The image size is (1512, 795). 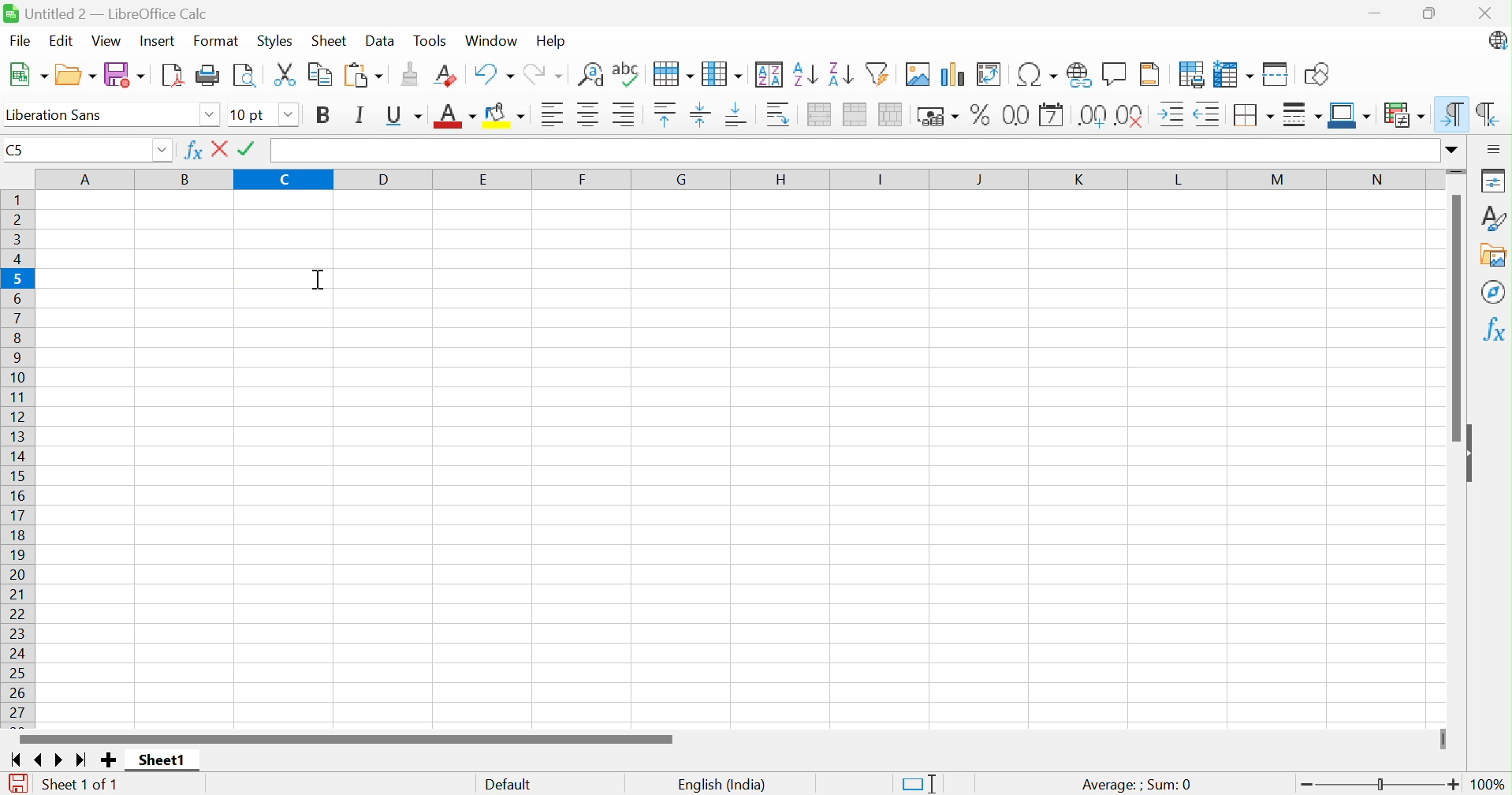 I want to click on Decrease indent, so click(x=1208, y=116).